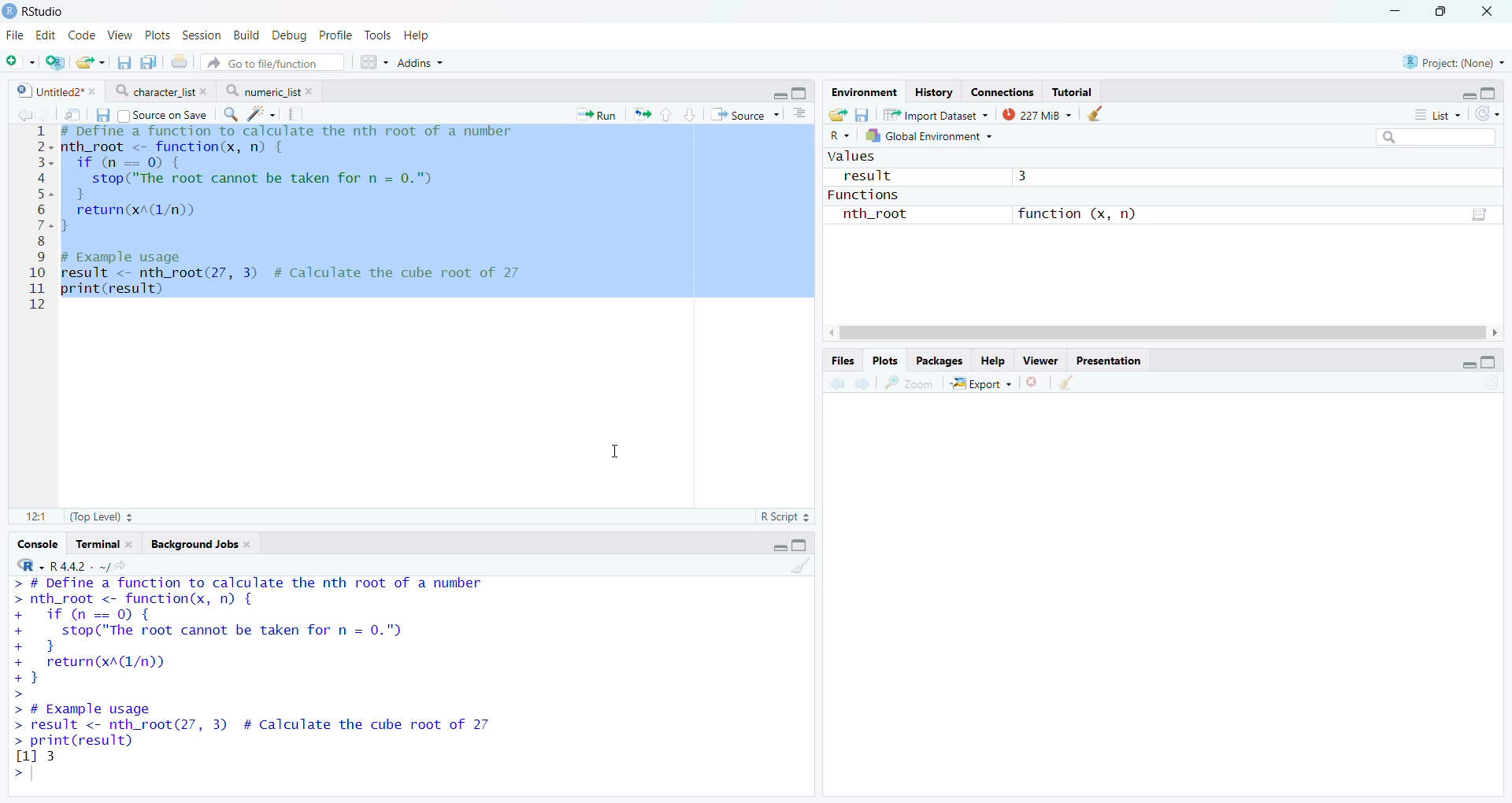 The image size is (1512, 803). Describe the element at coordinates (123, 63) in the screenshot. I see `Save current file` at that location.